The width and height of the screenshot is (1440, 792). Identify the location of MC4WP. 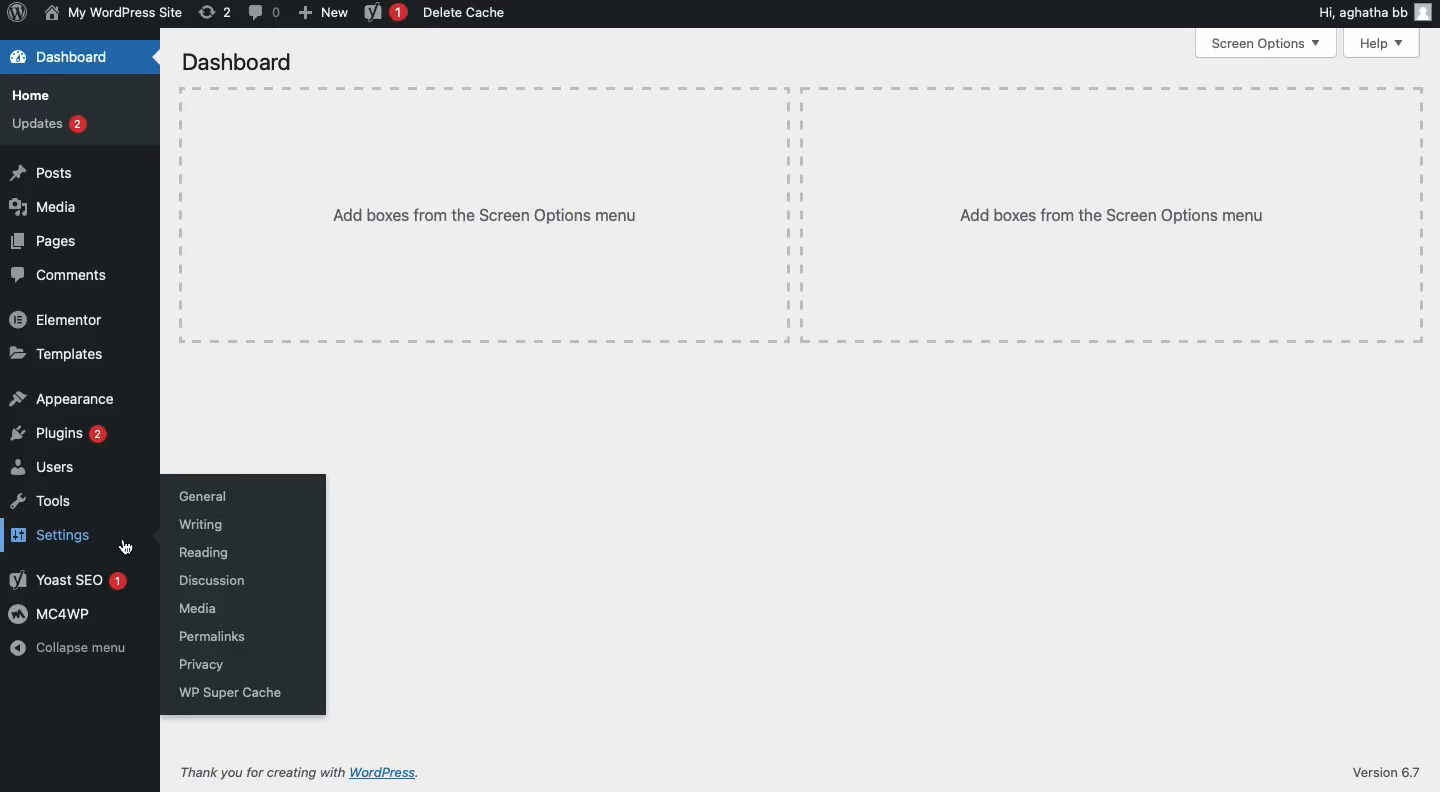
(48, 614).